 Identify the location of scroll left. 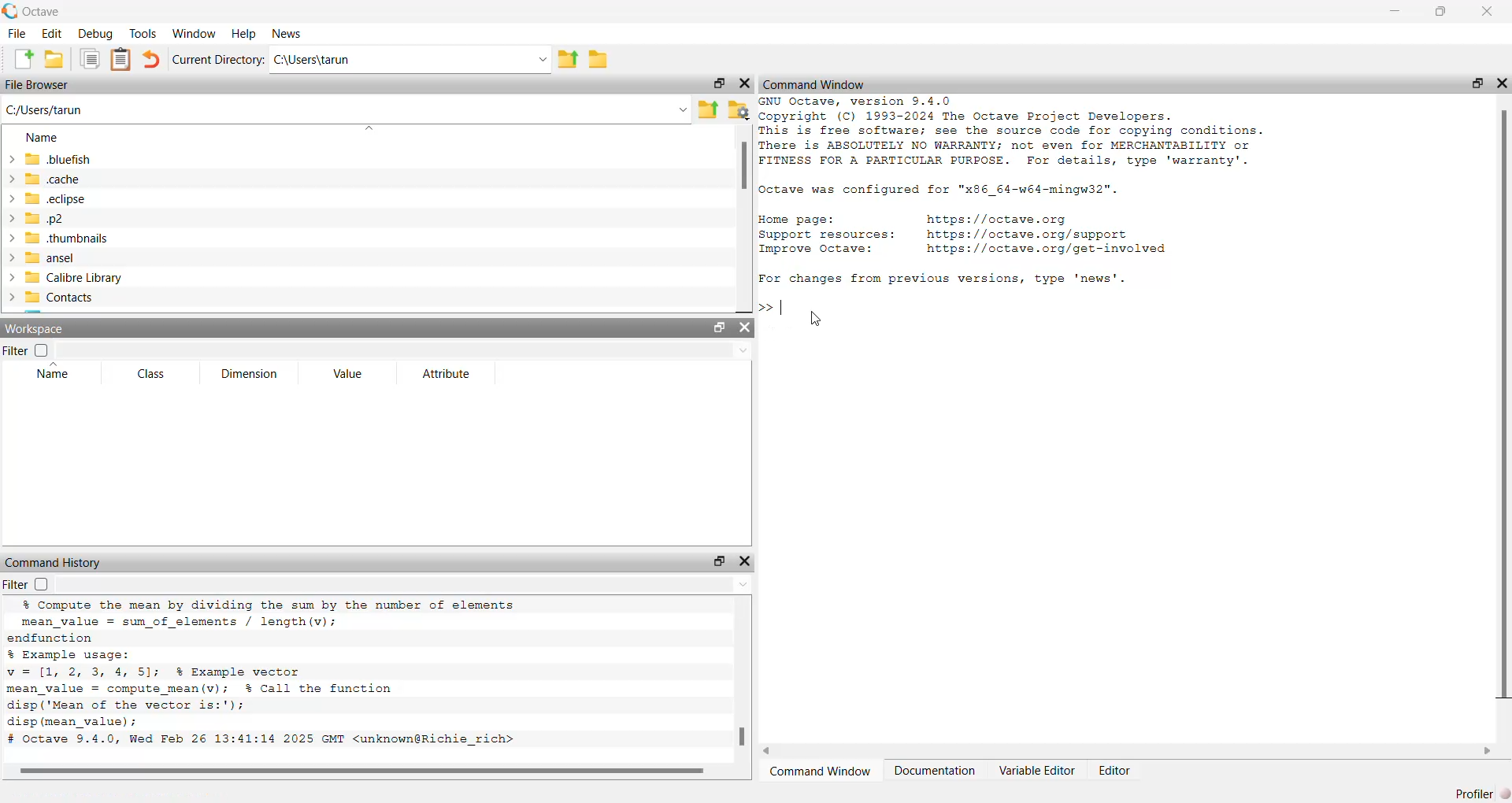
(769, 751).